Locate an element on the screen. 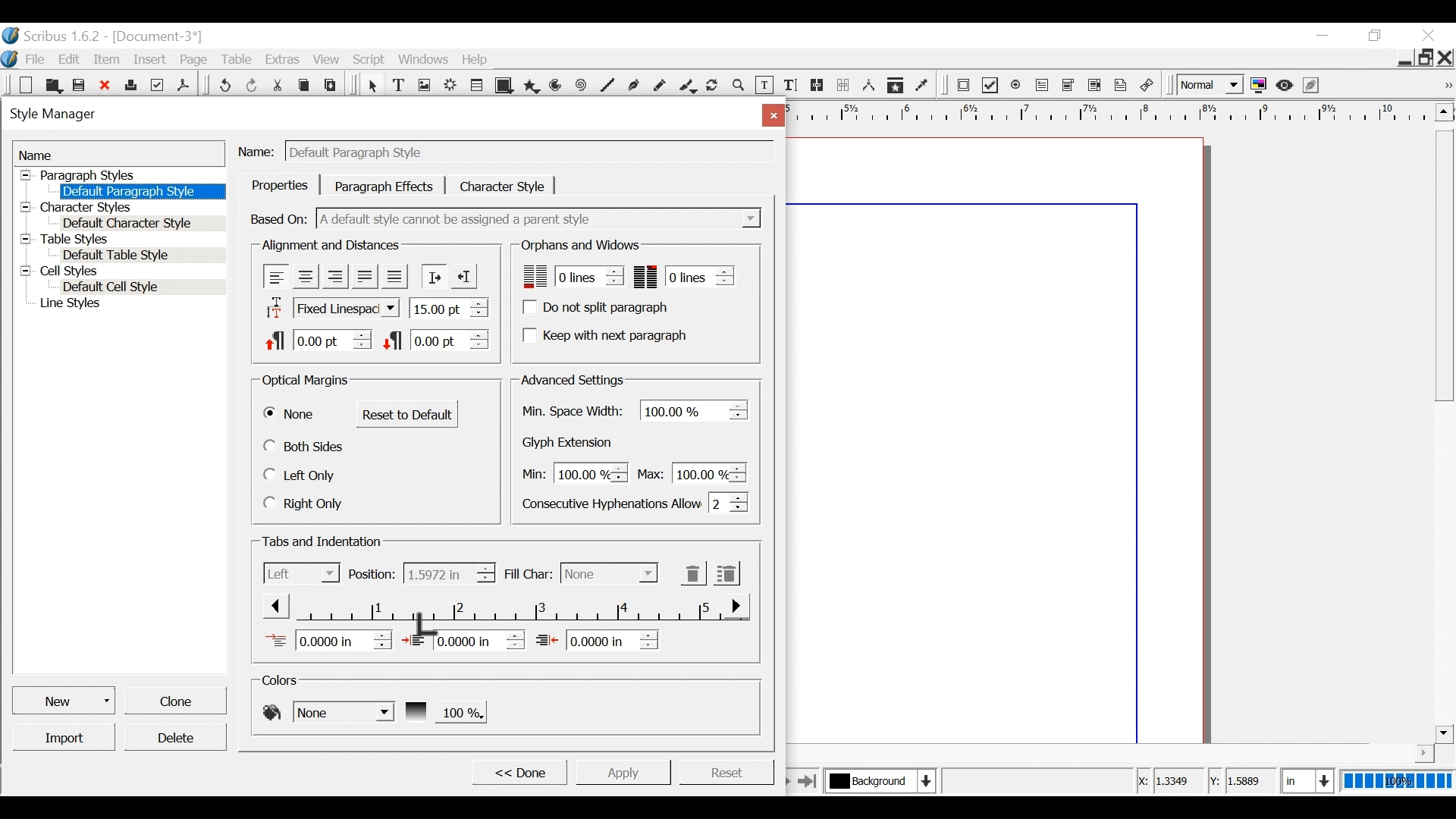 This screenshot has width=1456, height=819. Name is located at coordinates (119, 154).